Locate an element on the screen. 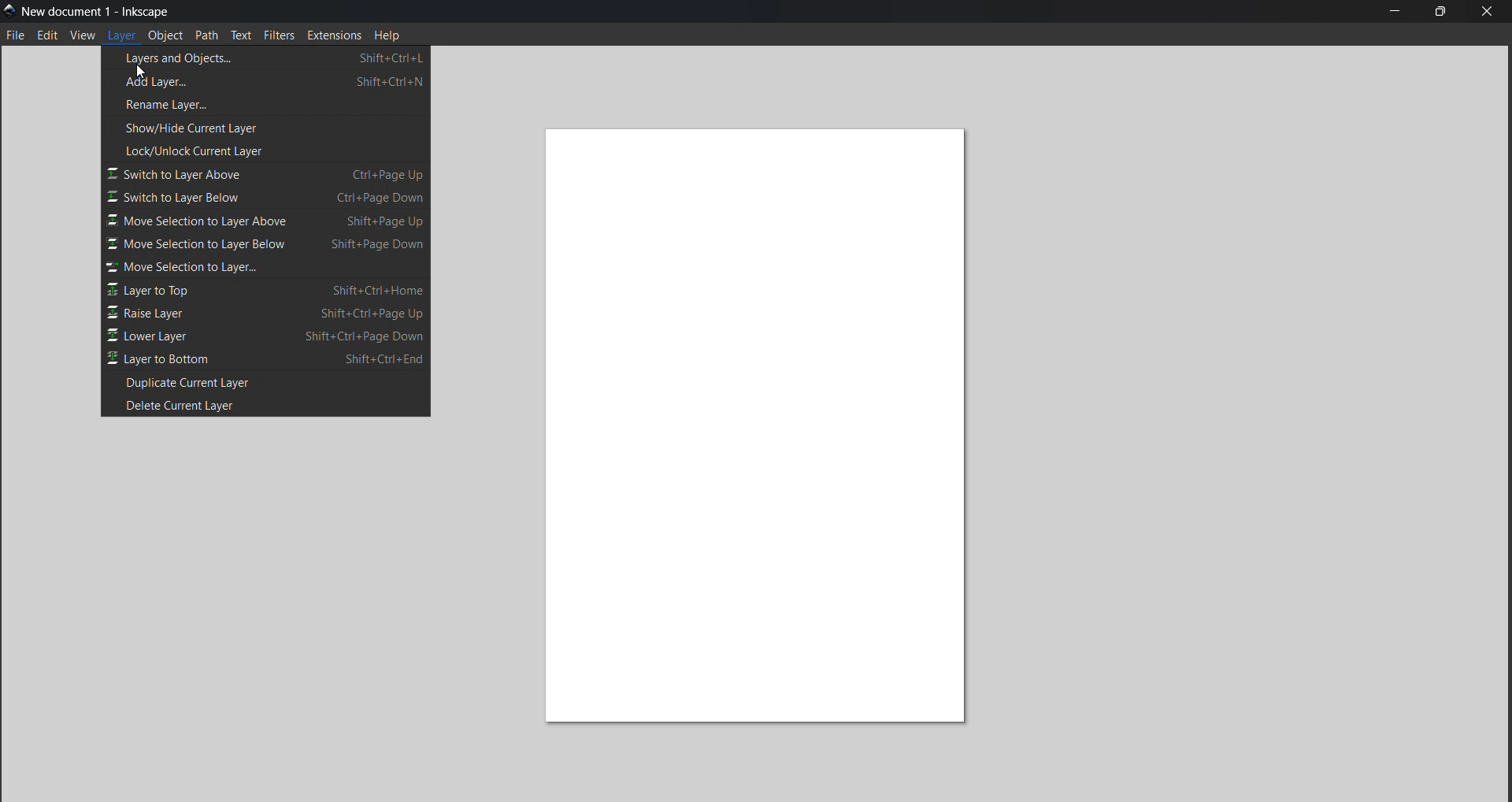 The width and height of the screenshot is (1512, 802). Help is located at coordinates (391, 38).